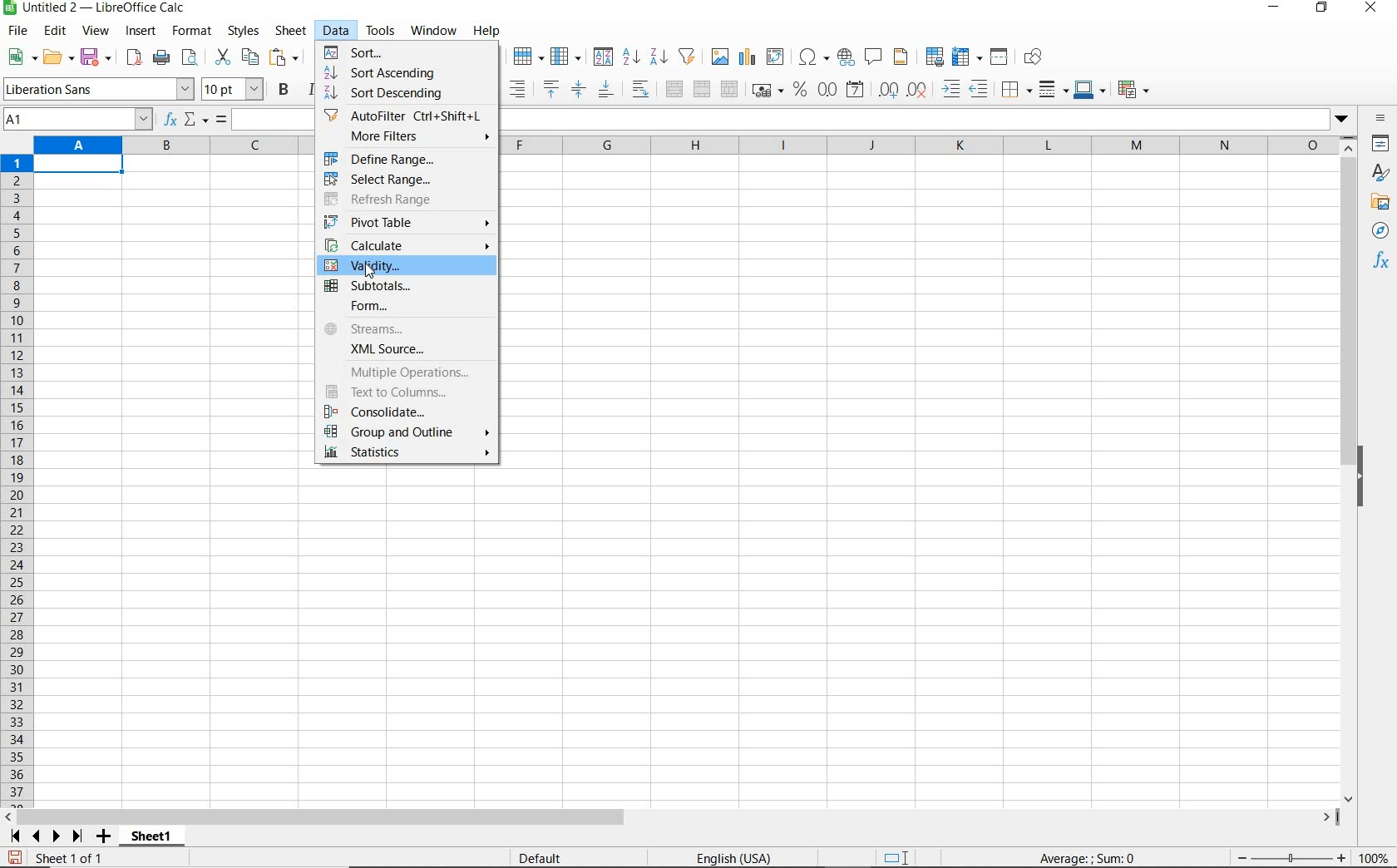 The height and width of the screenshot is (868, 1397). I want to click on dropdown, so click(1345, 121).